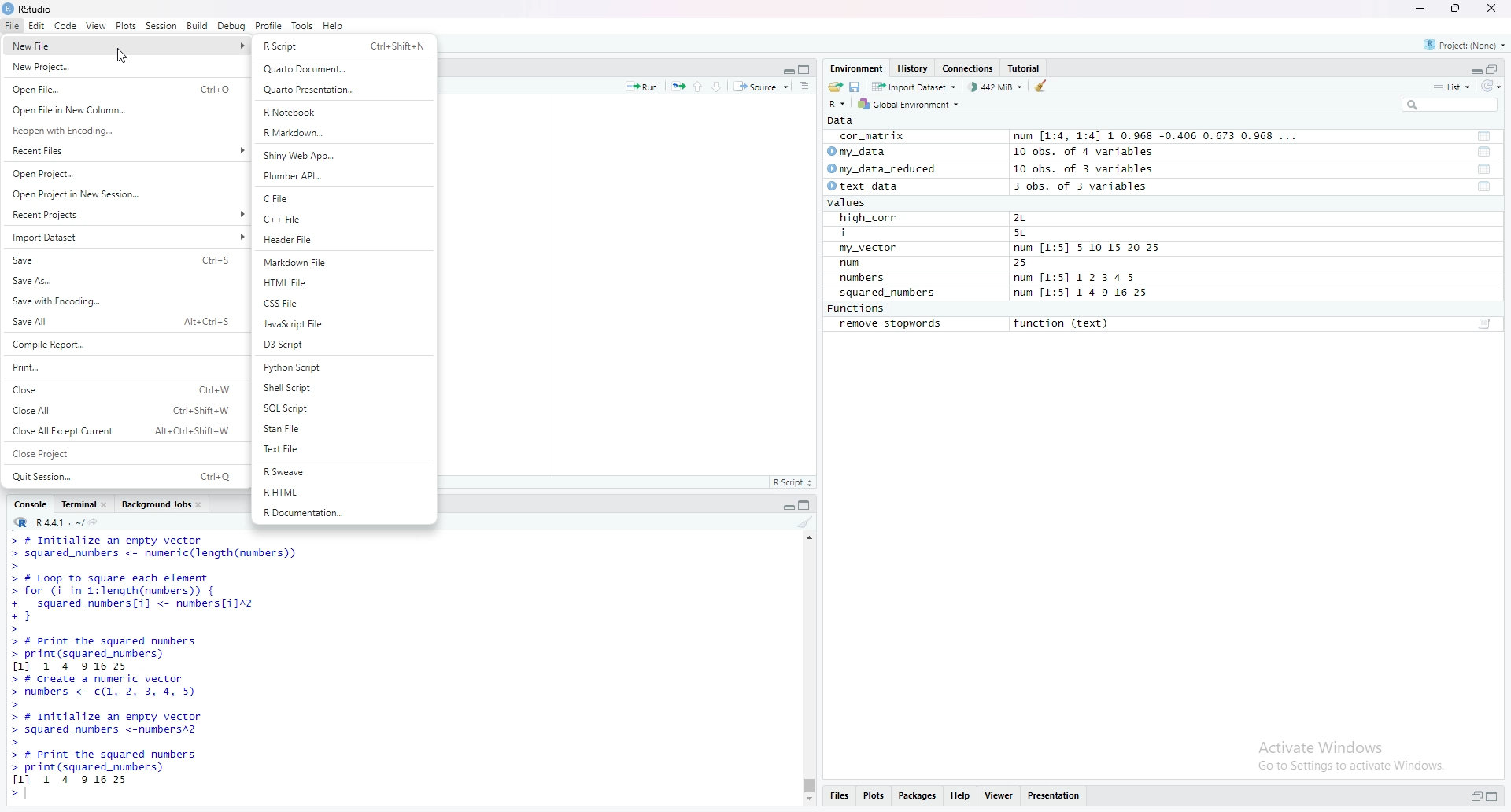 Image resolution: width=1511 pixels, height=812 pixels. I want to click on Background job, so click(155, 506).